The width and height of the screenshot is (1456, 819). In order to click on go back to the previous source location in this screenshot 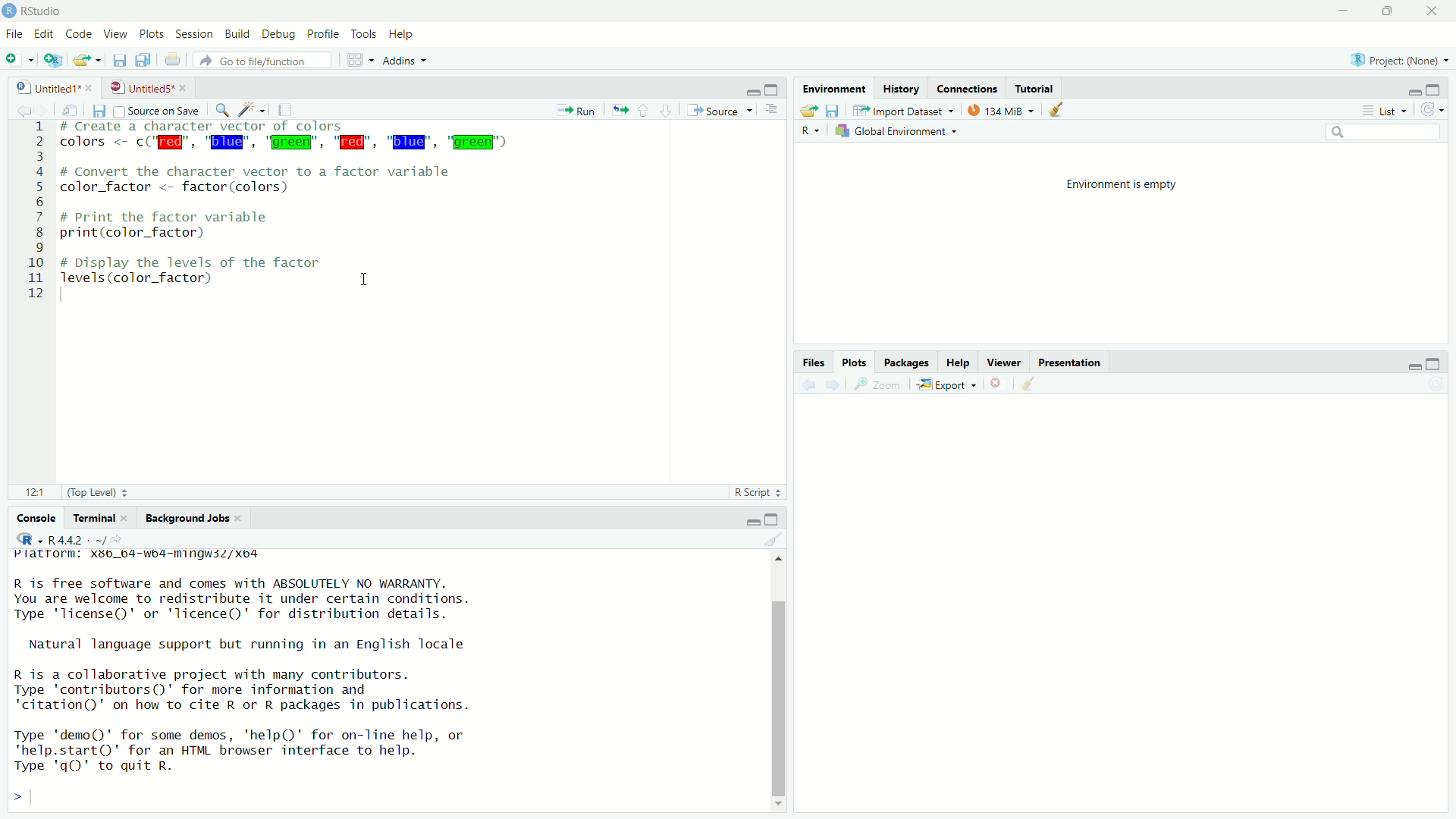, I will do `click(17, 110)`.